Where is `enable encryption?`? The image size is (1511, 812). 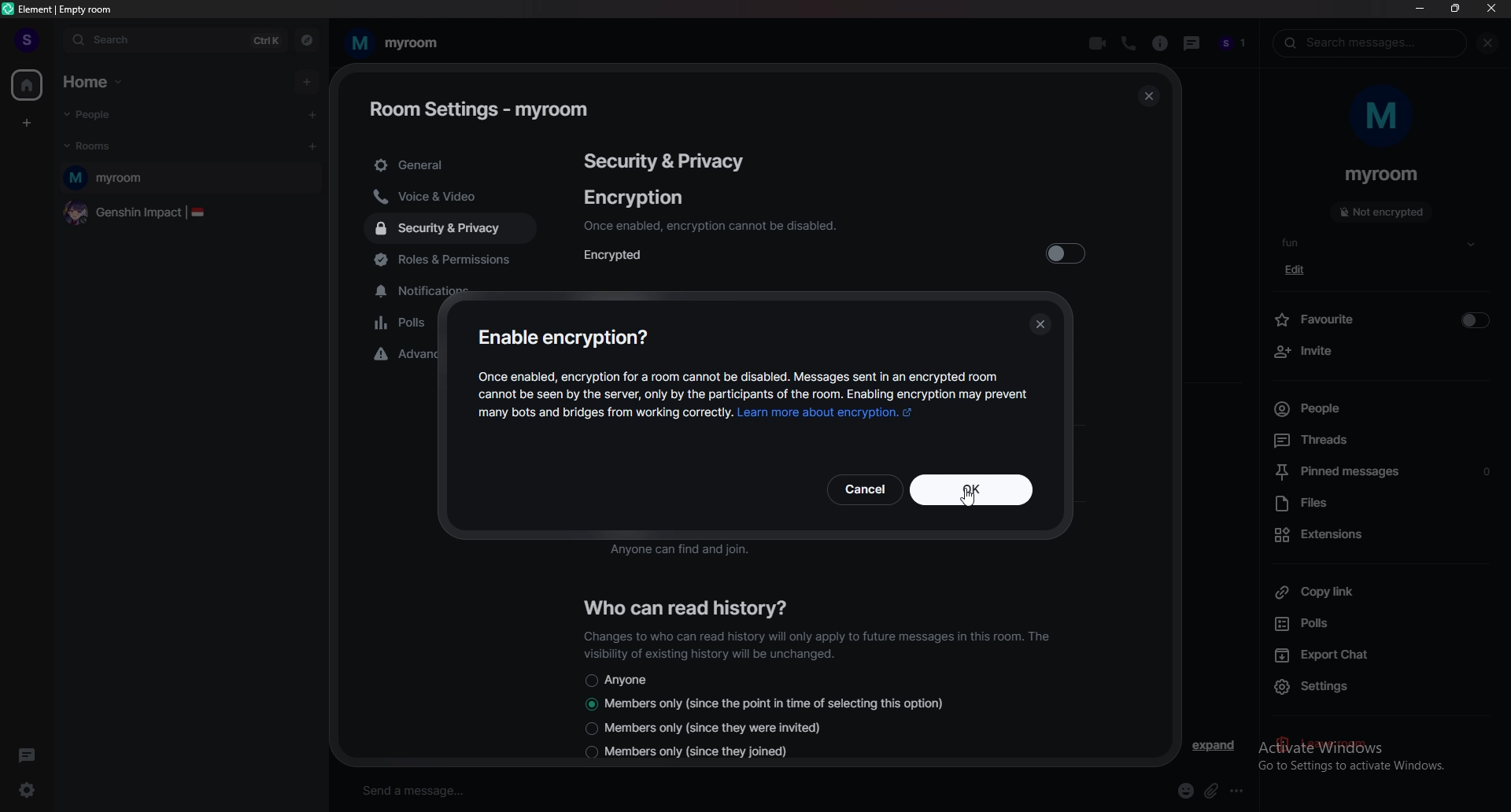 enable encryption? is located at coordinates (567, 337).